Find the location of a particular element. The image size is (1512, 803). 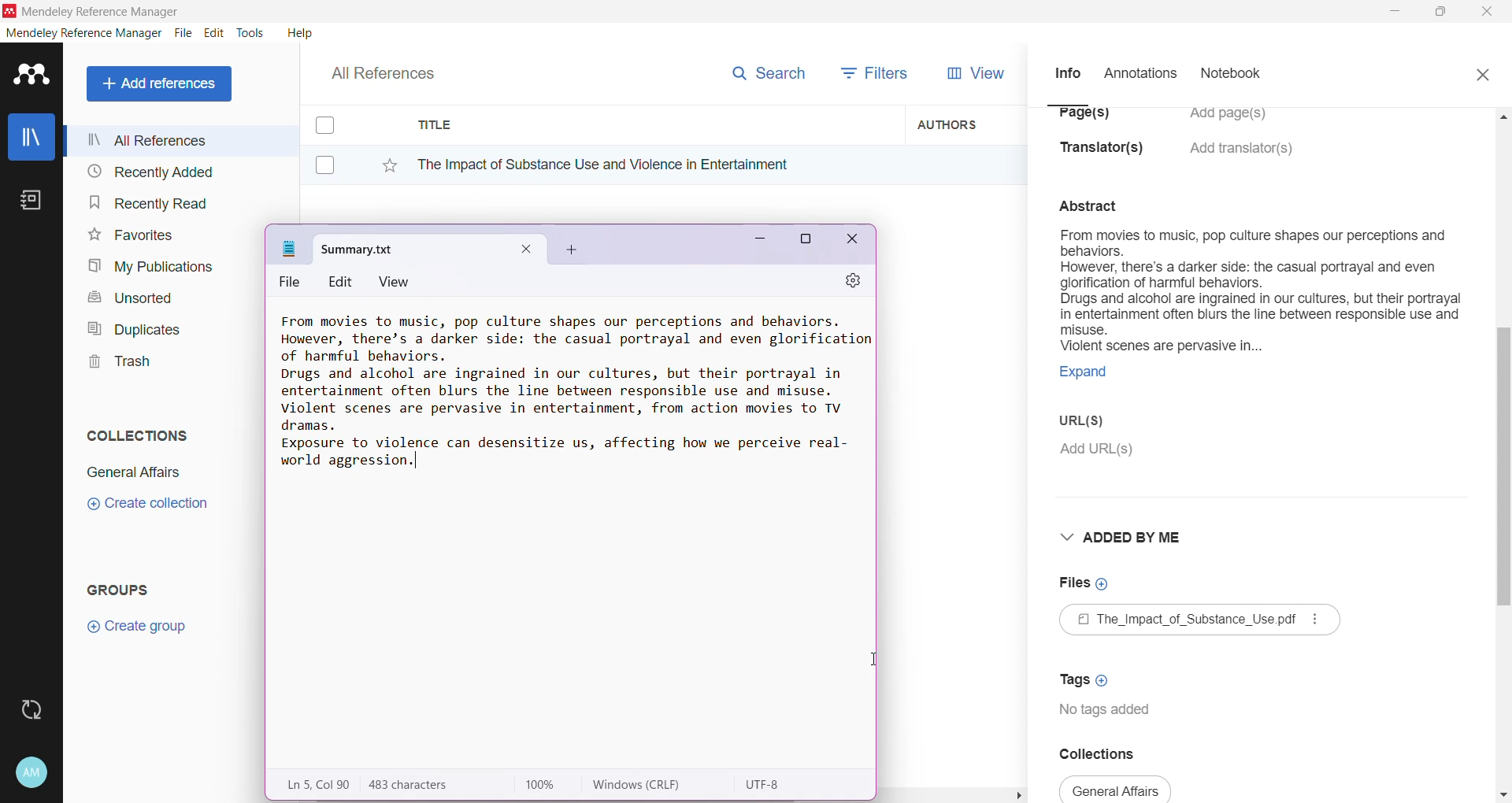

Collection Name is located at coordinates (131, 472).